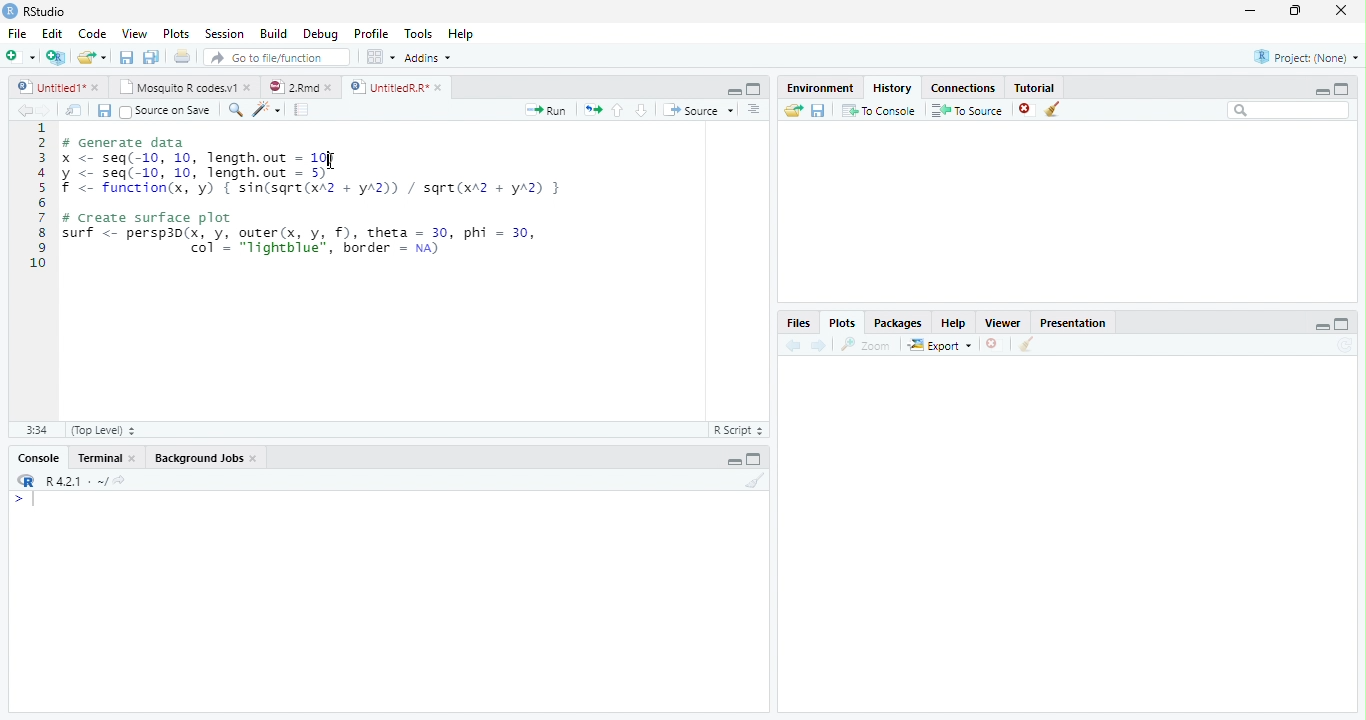 The width and height of the screenshot is (1366, 720). What do you see at coordinates (1343, 324) in the screenshot?
I see `maximize` at bounding box center [1343, 324].